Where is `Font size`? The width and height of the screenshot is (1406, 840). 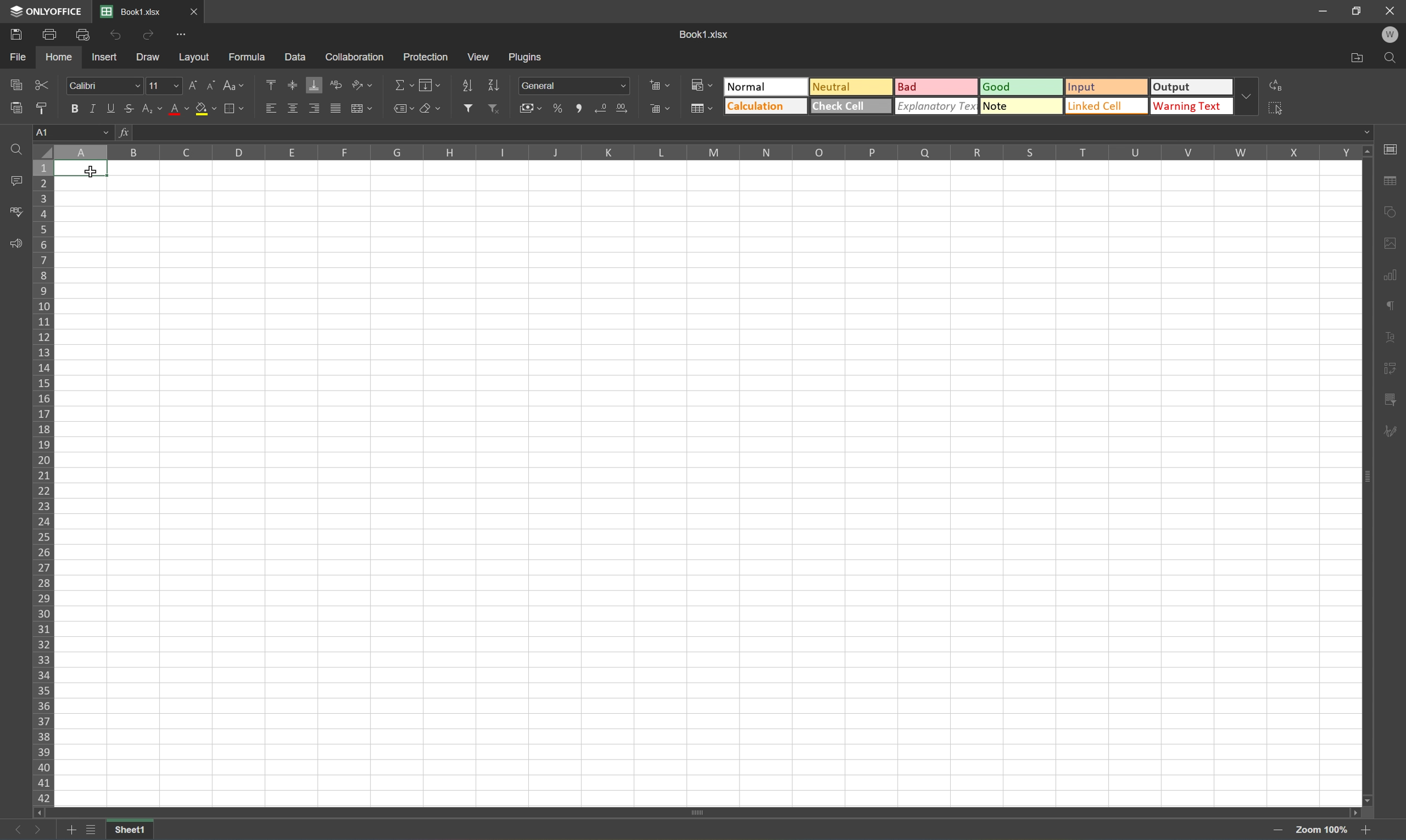
Font size is located at coordinates (163, 87).